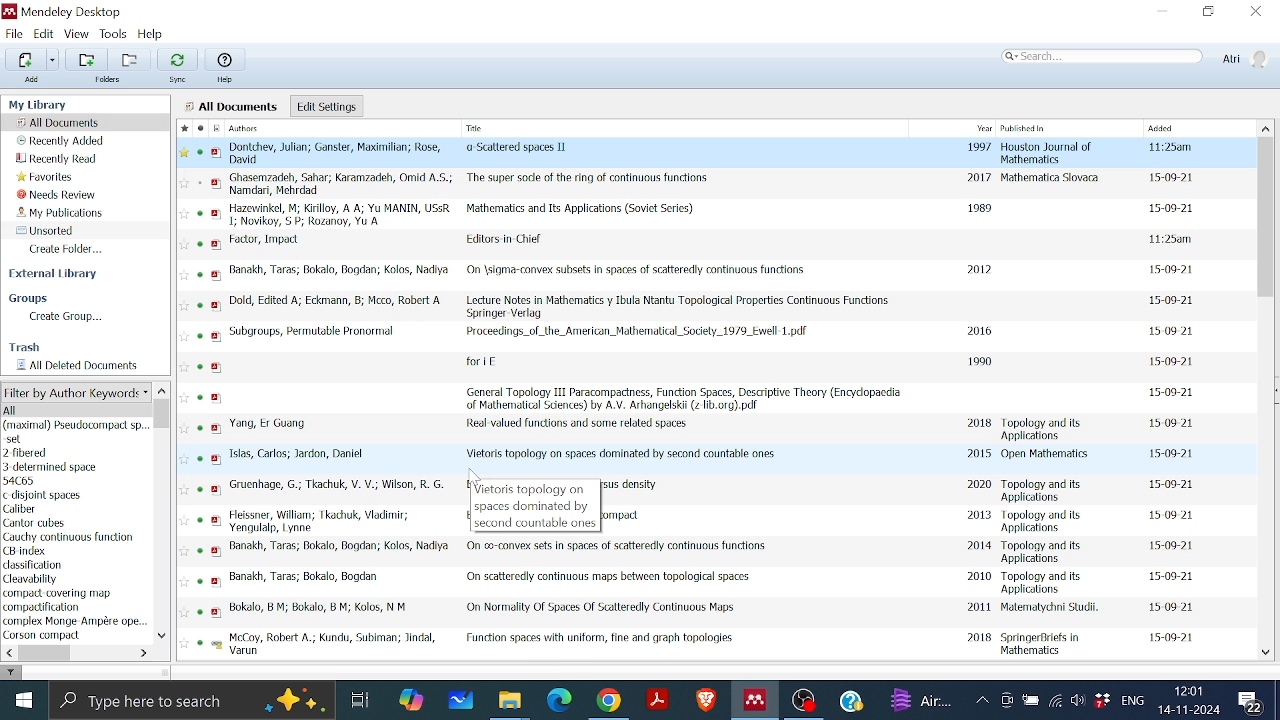 The image size is (1280, 720). What do you see at coordinates (40, 638) in the screenshot?
I see `Keyword` at bounding box center [40, 638].